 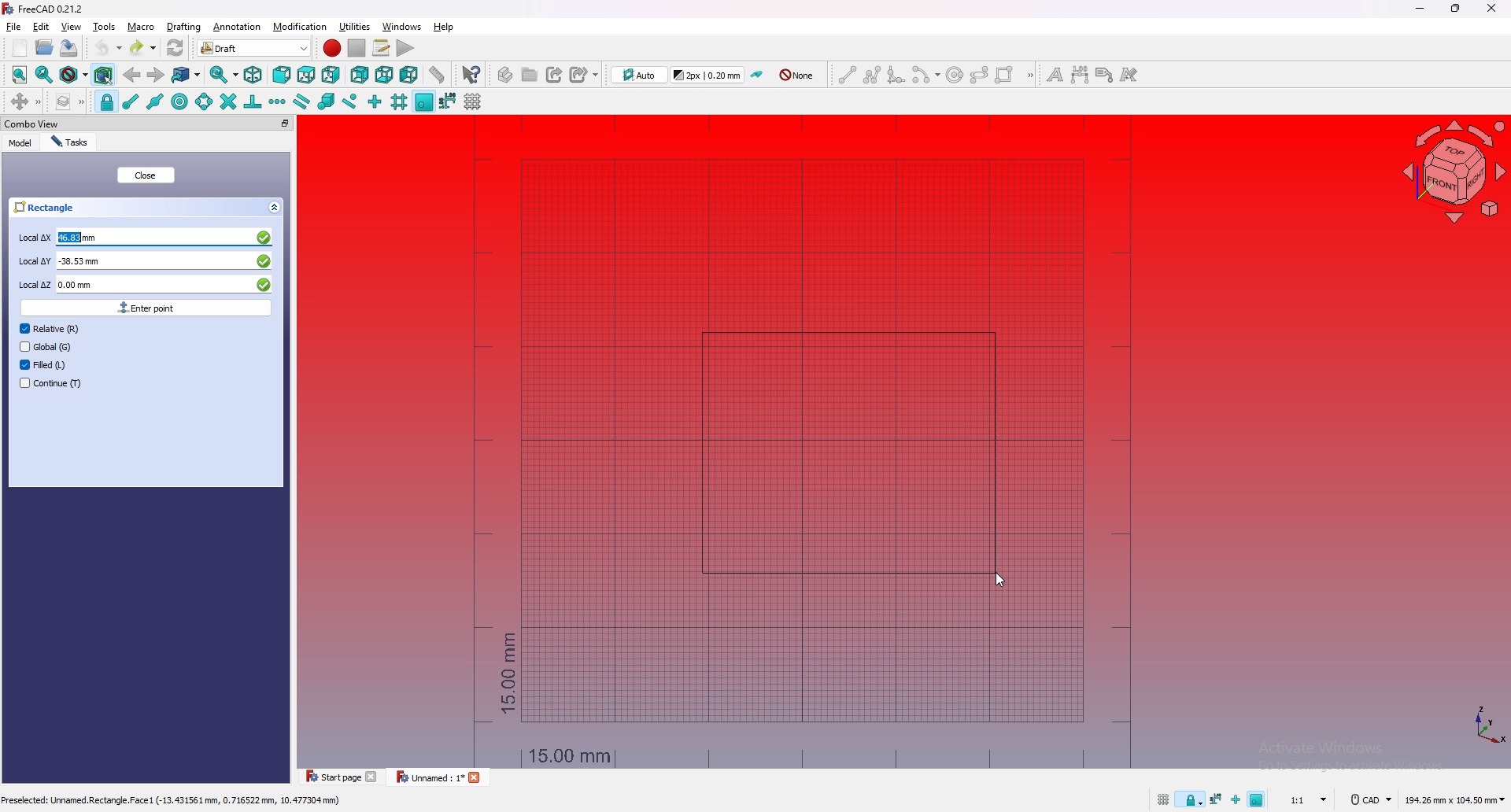 What do you see at coordinates (1216, 798) in the screenshot?
I see `snap dimension` at bounding box center [1216, 798].